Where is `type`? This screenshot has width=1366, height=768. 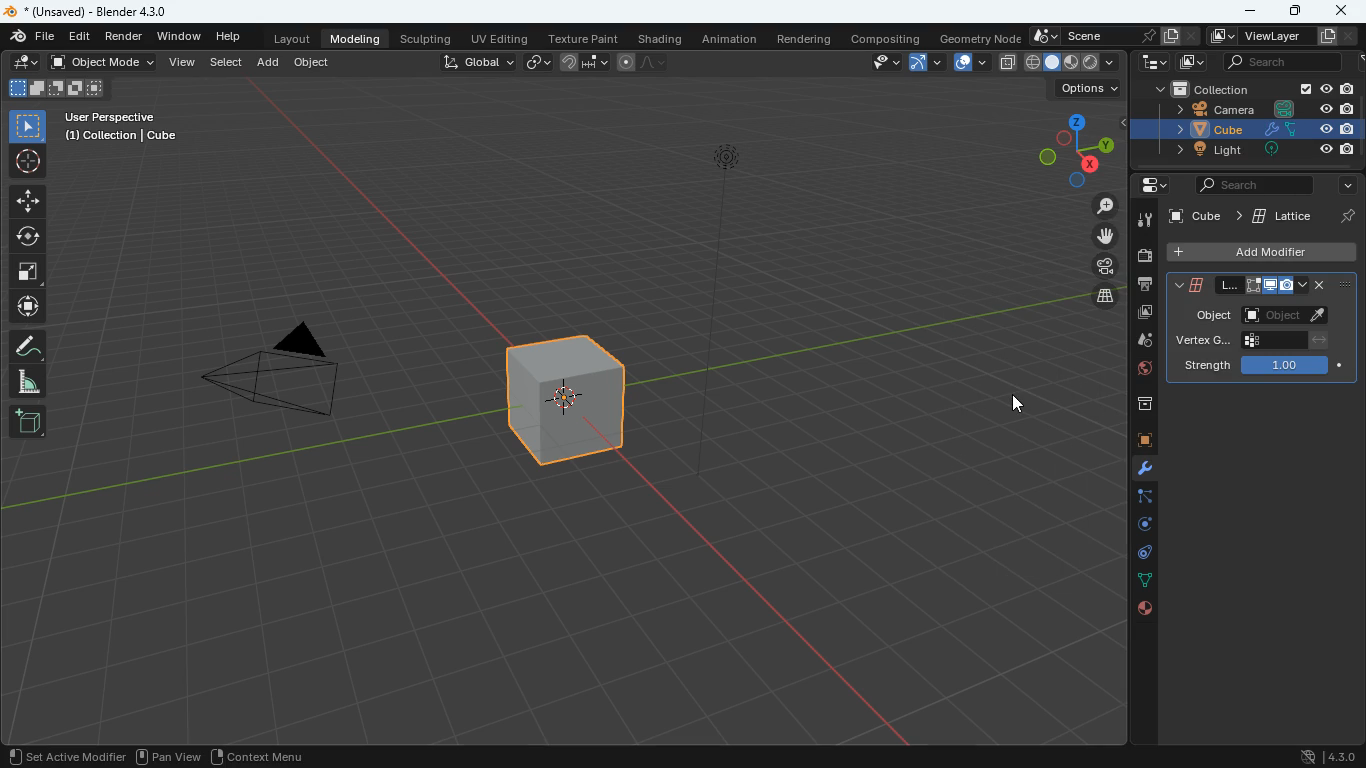 type is located at coordinates (1058, 63).